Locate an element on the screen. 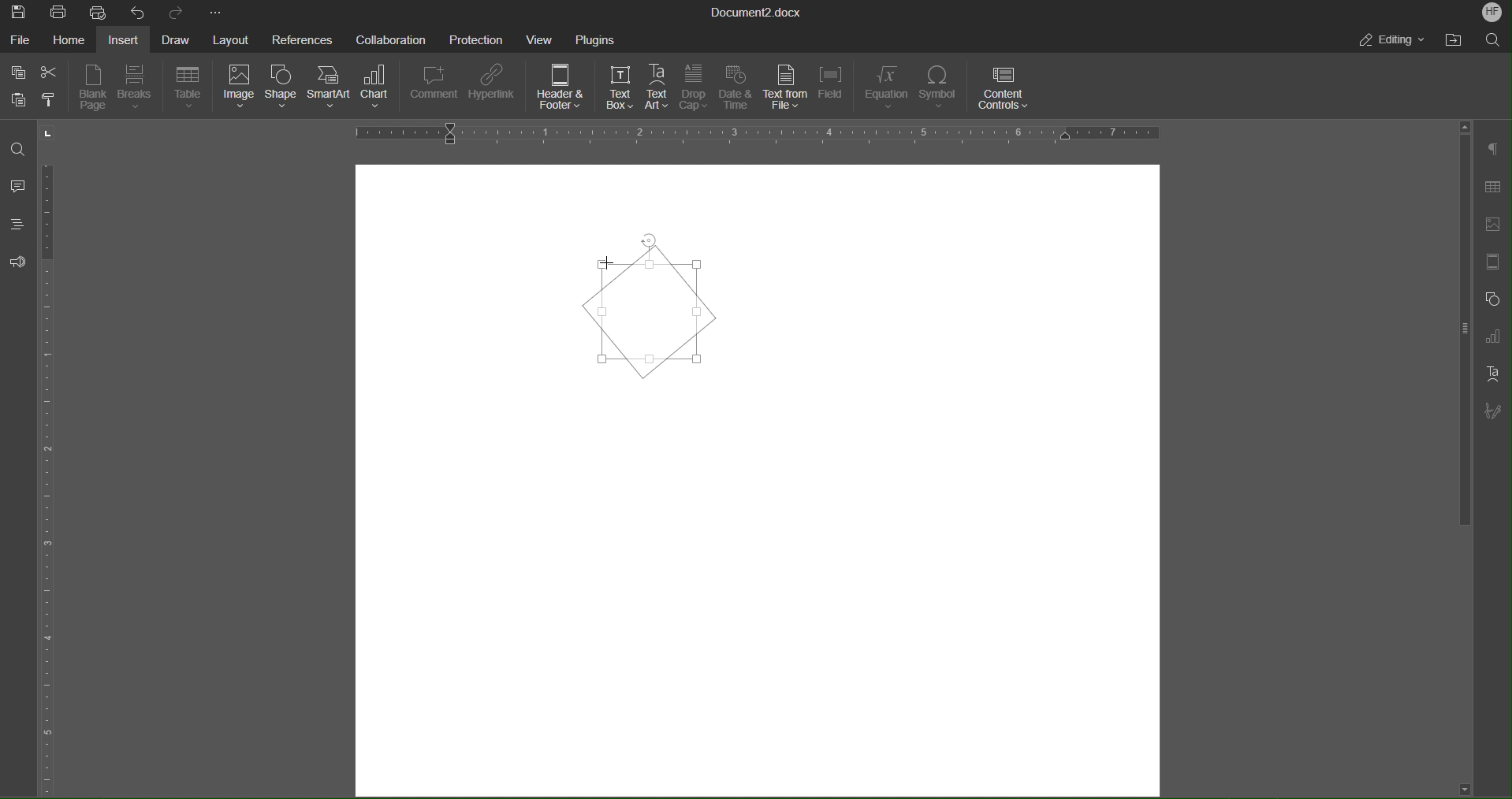 The height and width of the screenshot is (799, 1512). Signature is located at coordinates (1492, 412).